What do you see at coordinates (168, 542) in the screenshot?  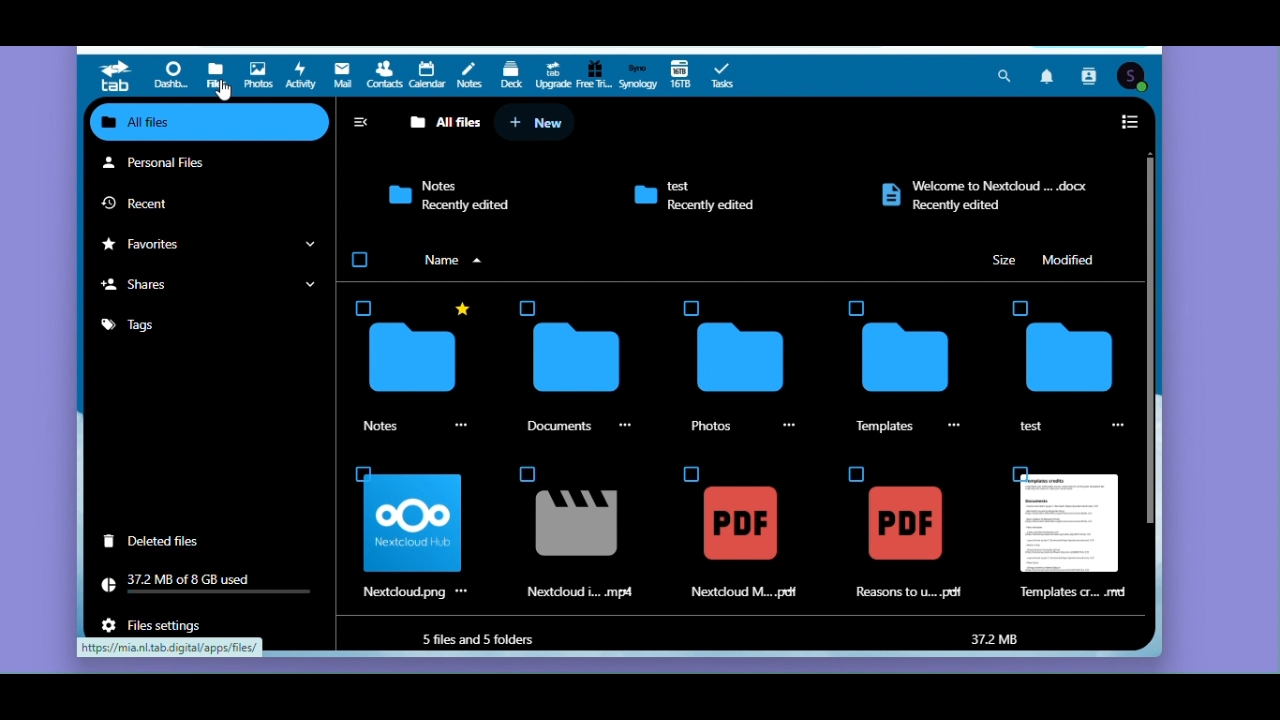 I see `Deleted files` at bounding box center [168, 542].